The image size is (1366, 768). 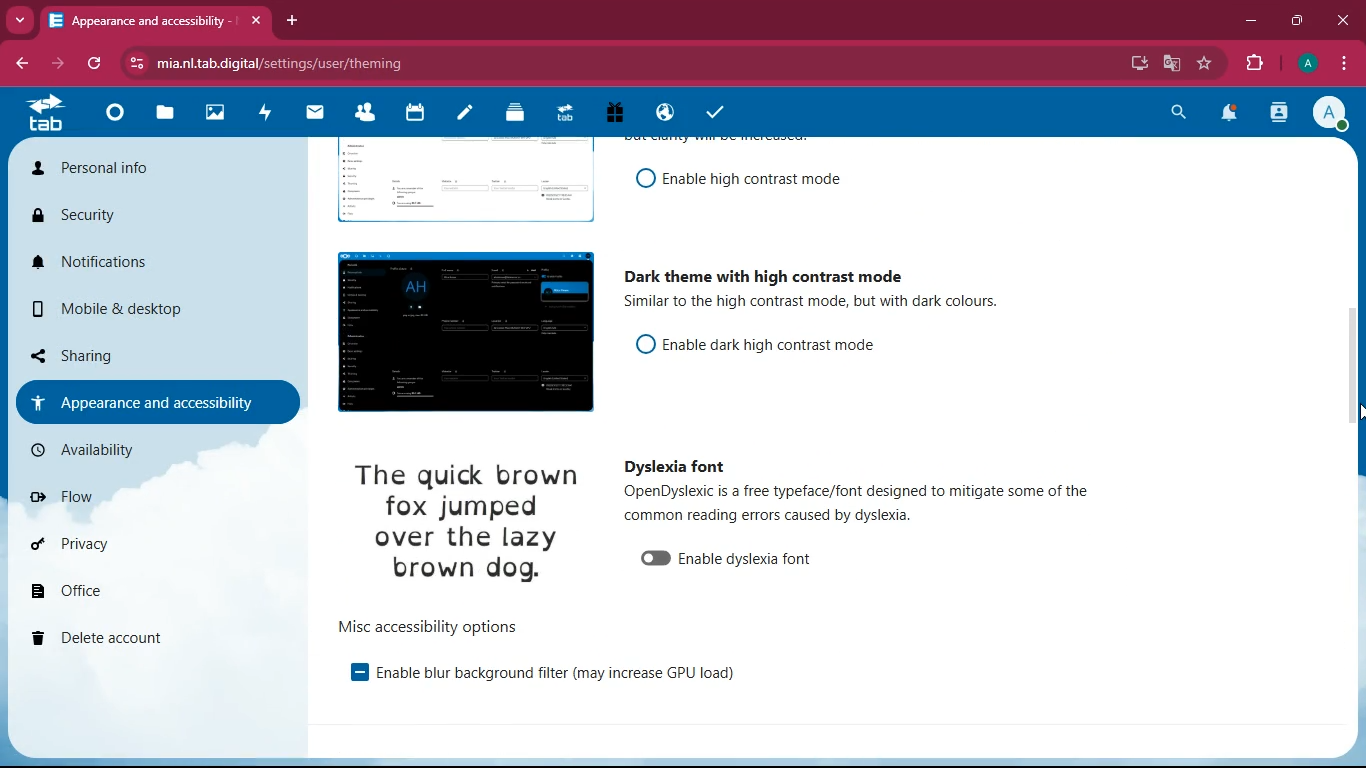 What do you see at coordinates (429, 625) in the screenshot?
I see `options` at bounding box center [429, 625].